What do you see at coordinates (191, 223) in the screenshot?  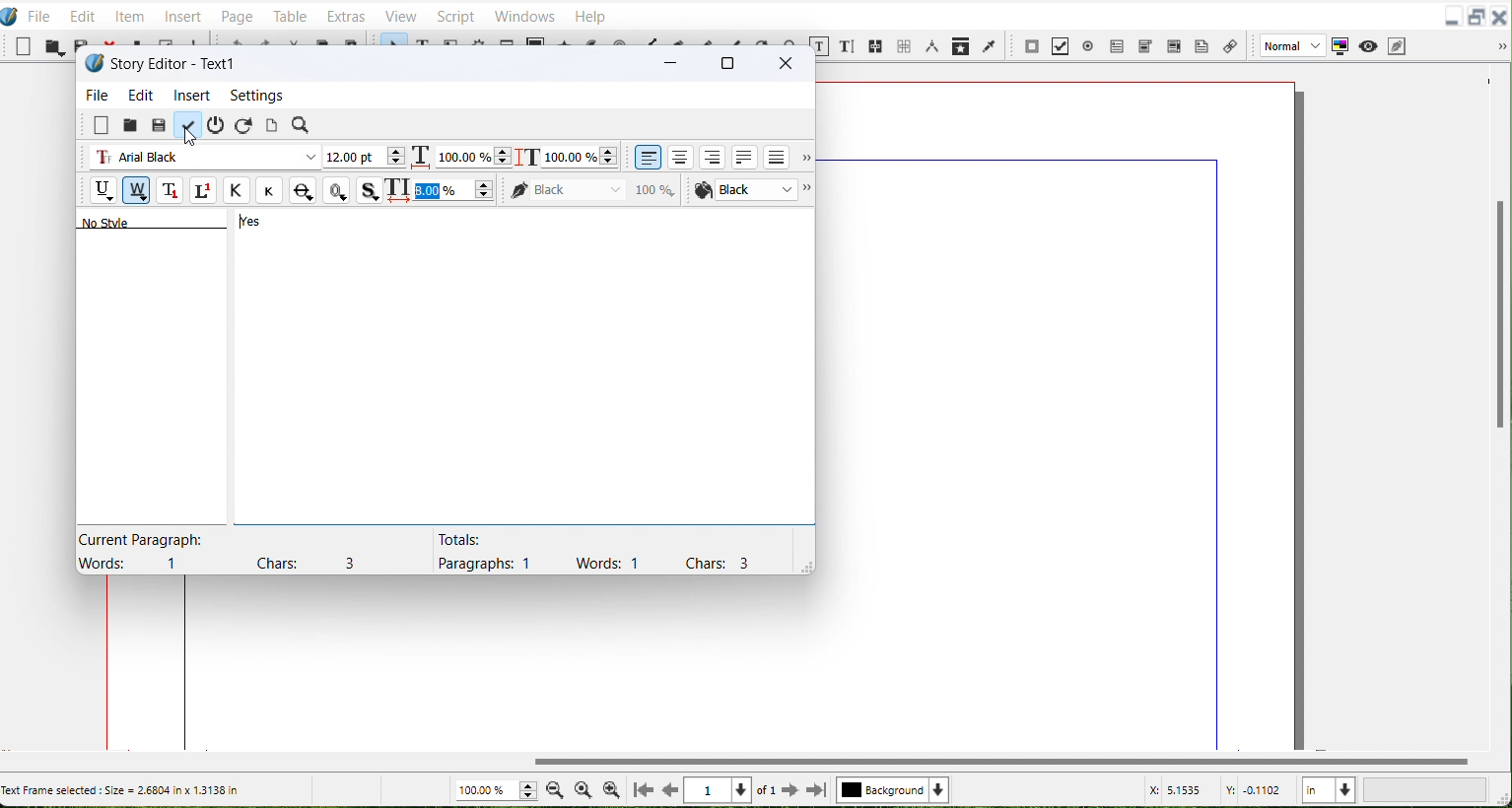 I see `Text` at bounding box center [191, 223].